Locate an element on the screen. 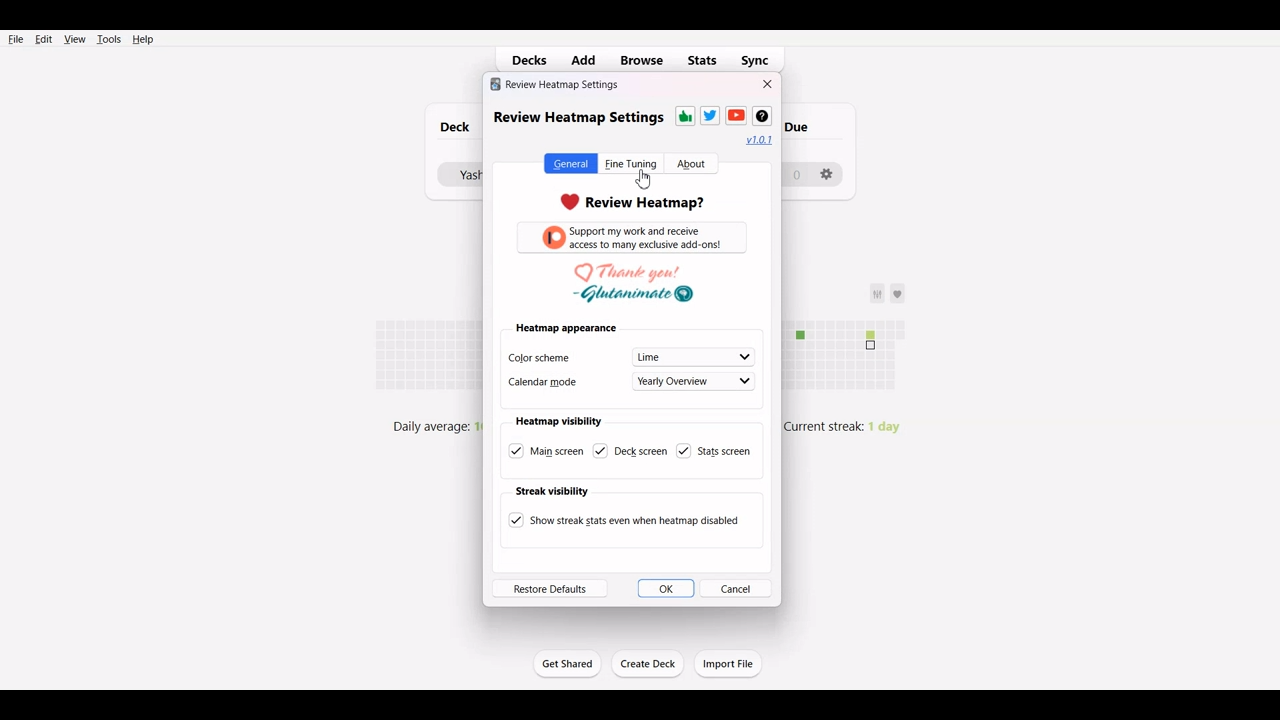 Image resolution: width=1280 pixels, height=720 pixels. Get Started is located at coordinates (566, 663).